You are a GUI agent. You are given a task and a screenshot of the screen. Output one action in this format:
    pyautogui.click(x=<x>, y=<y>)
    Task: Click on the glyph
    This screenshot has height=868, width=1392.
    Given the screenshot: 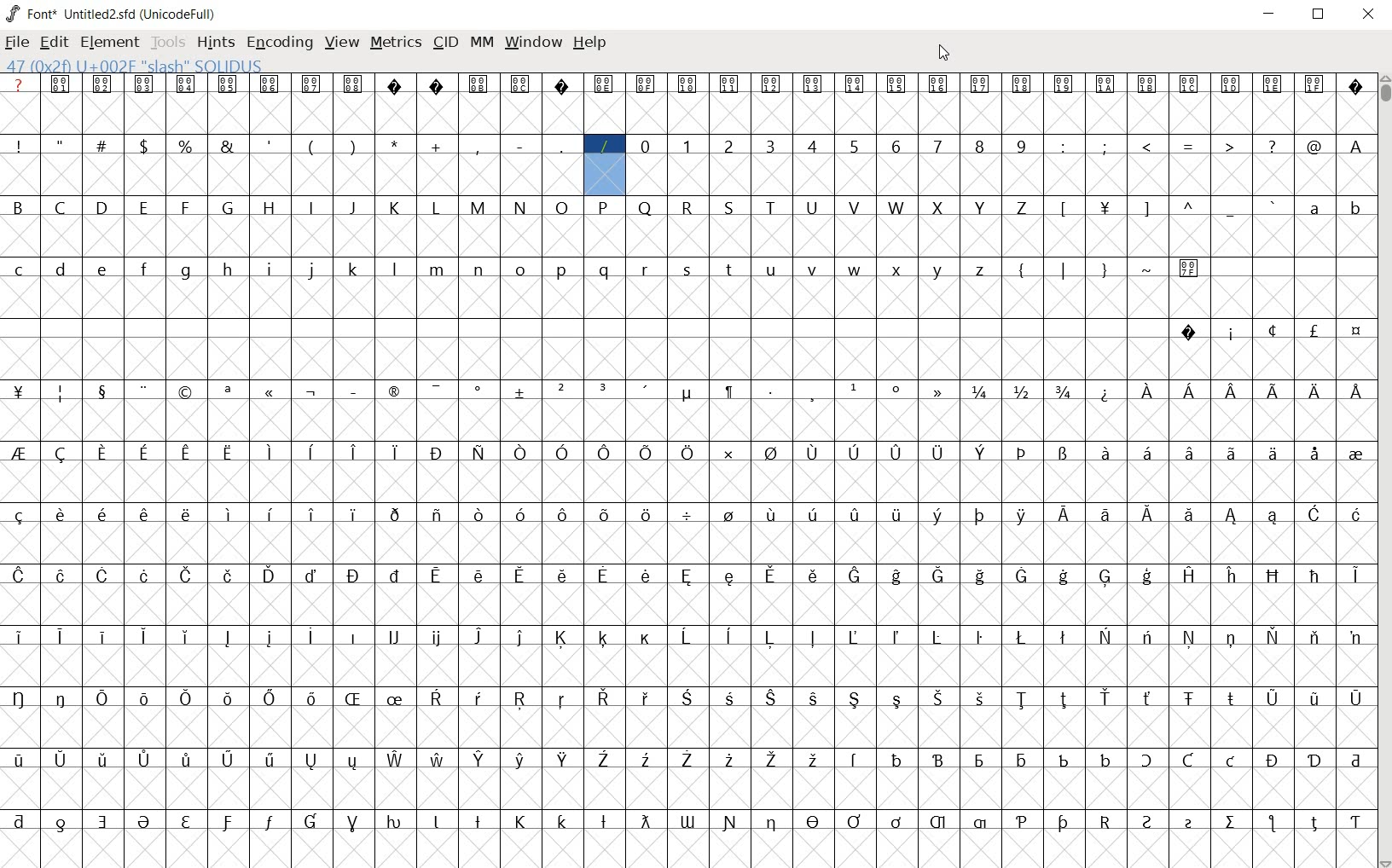 What is the action you would take?
    pyautogui.click(x=979, y=638)
    